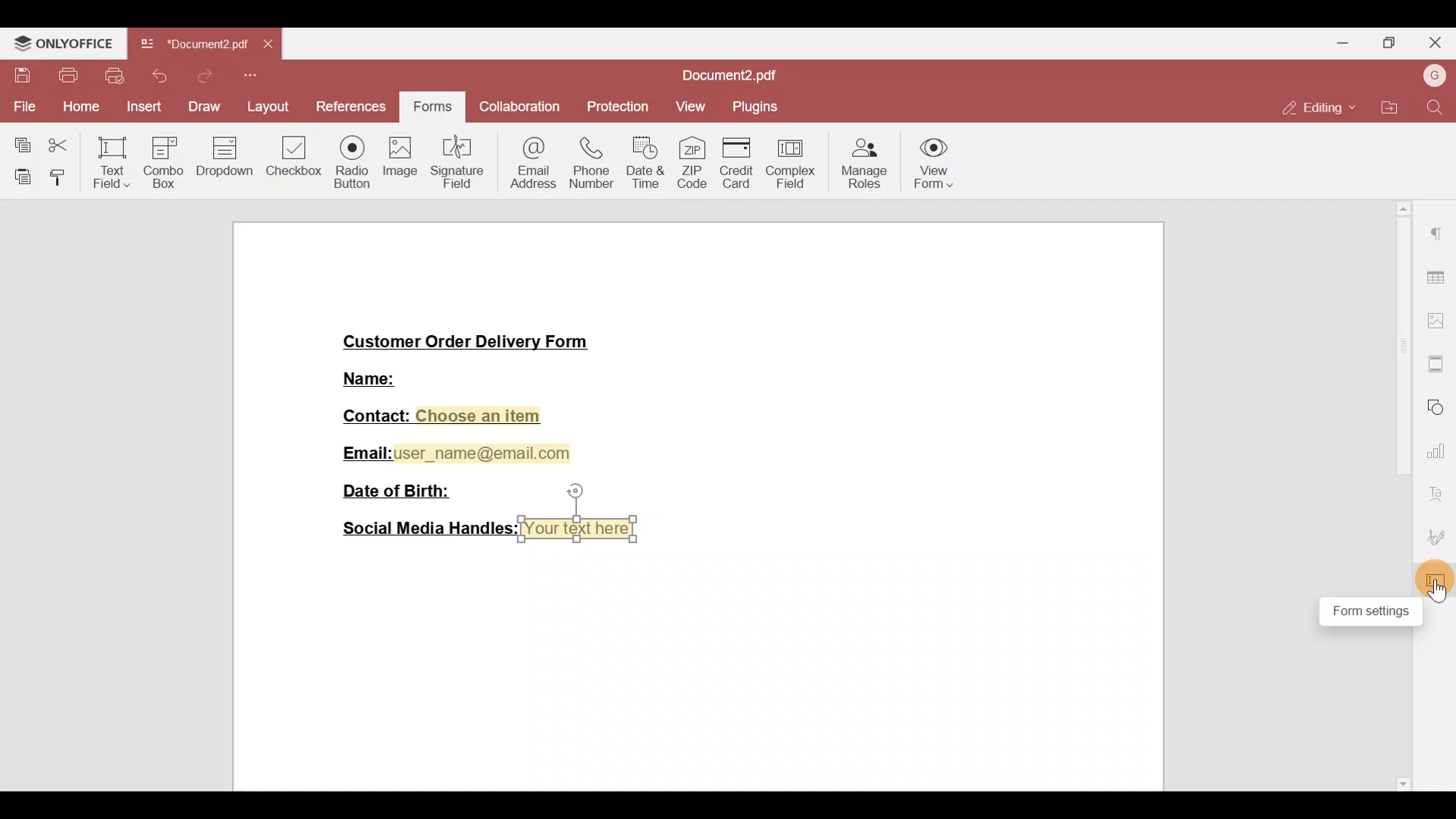 This screenshot has height=819, width=1456. I want to click on Chart settings, so click(1439, 451).